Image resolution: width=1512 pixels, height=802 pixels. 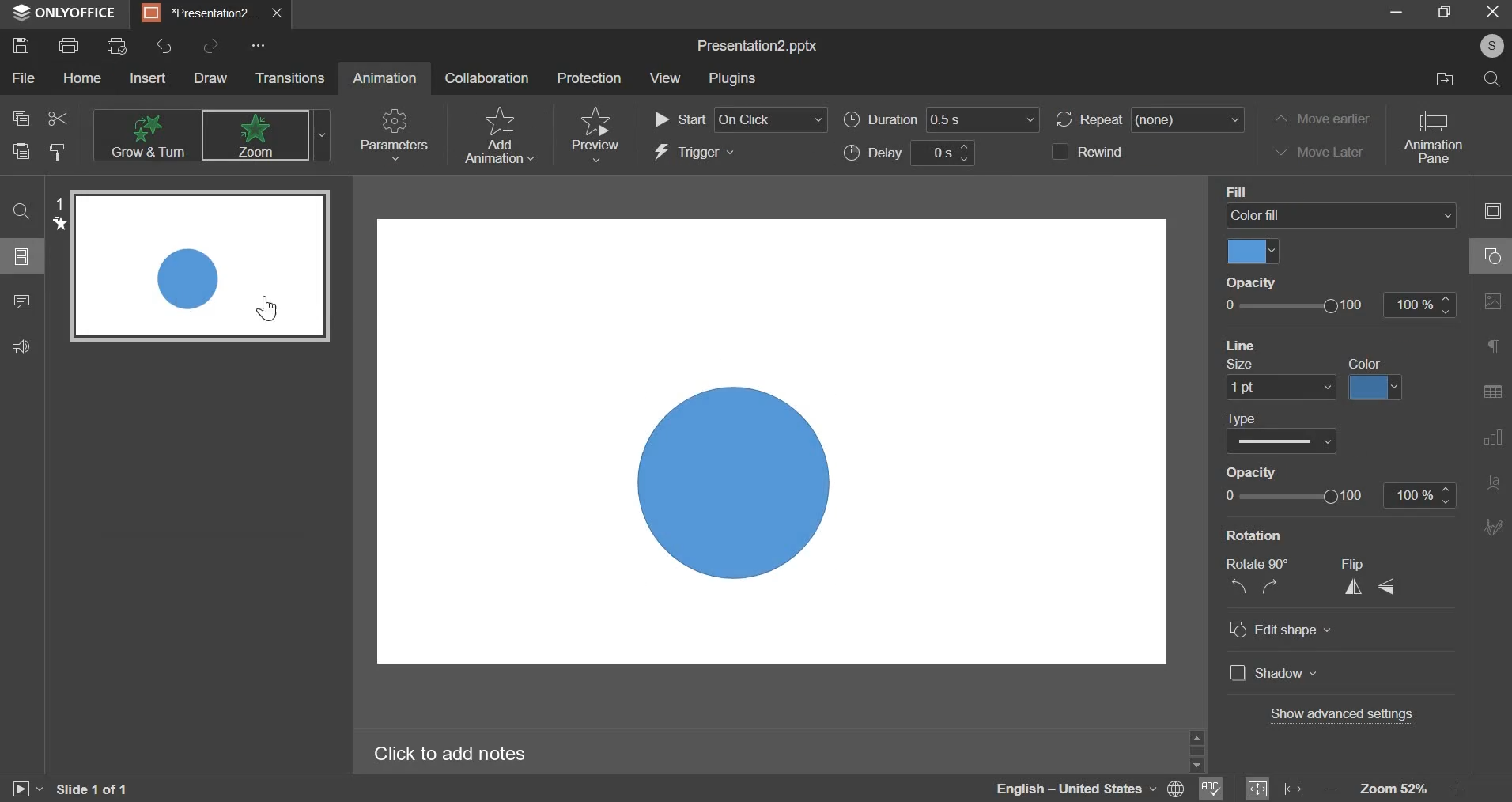 What do you see at coordinates (1200, 736) in the screenshot?
I see `move up` at bounding box center [1200, 736].